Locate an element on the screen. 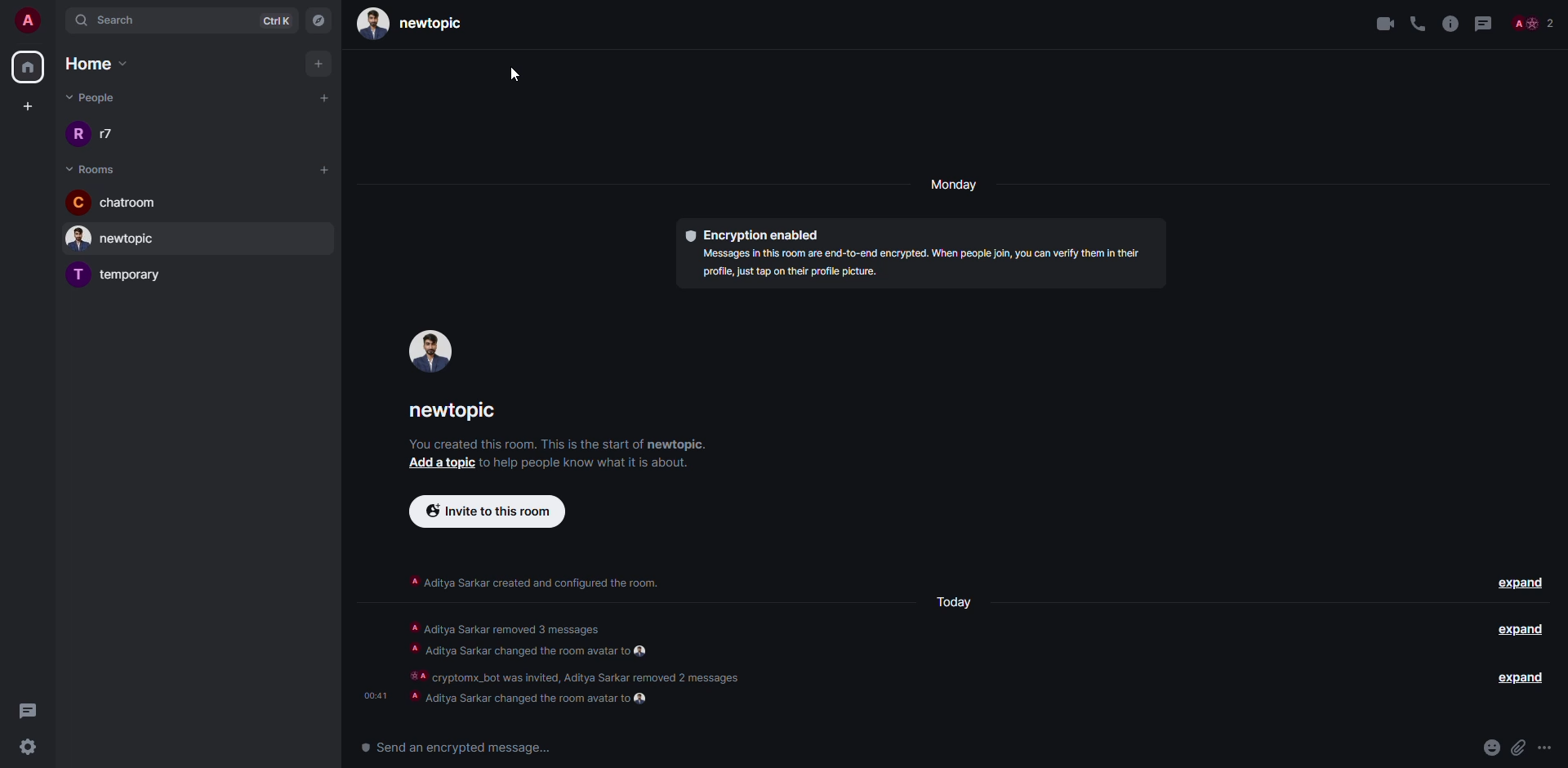  add is located at coordinates (320, 65).